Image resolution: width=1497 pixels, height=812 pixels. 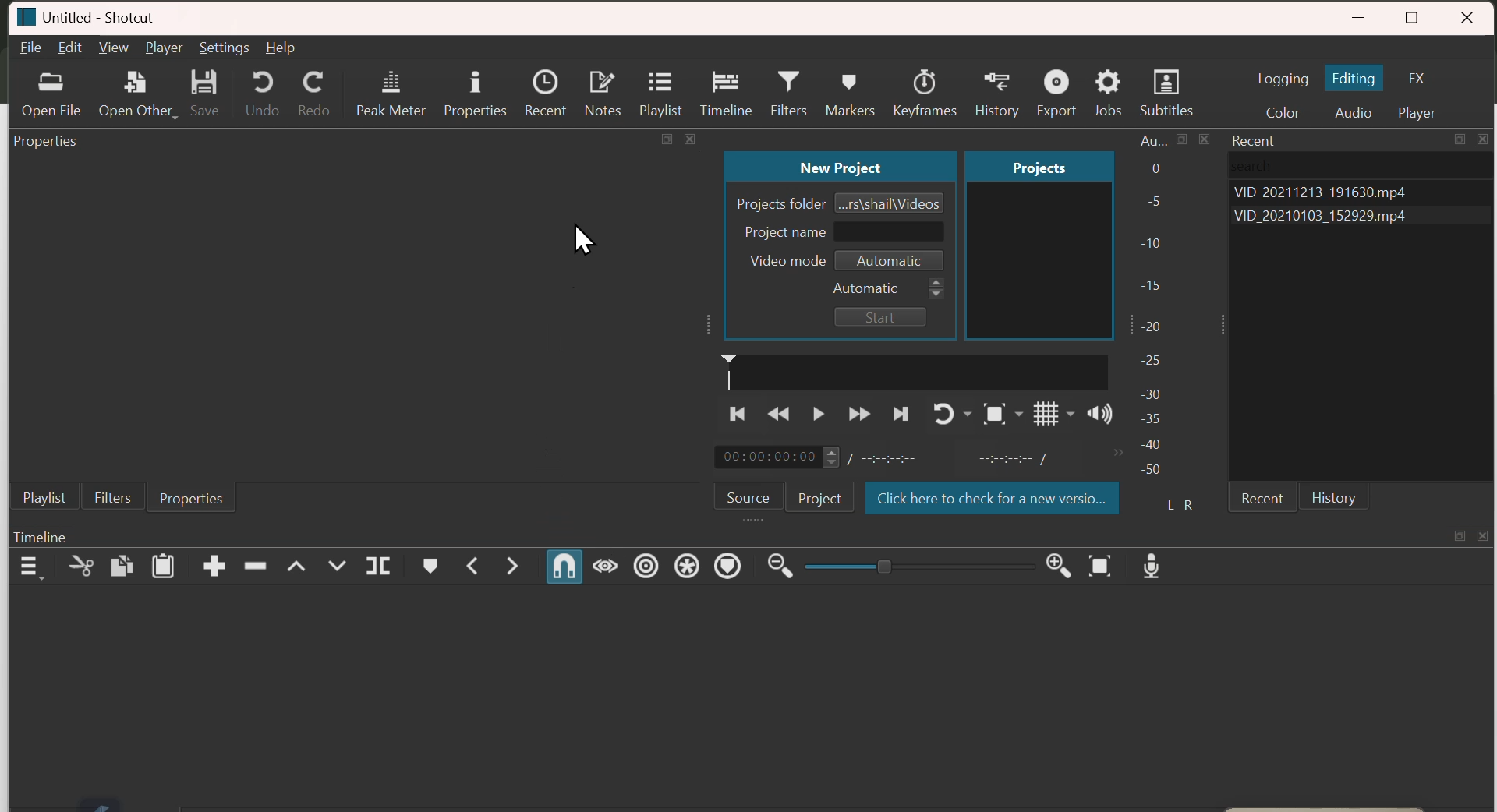 I want to click on Ripple All tracks, so click(x=688, y=566).